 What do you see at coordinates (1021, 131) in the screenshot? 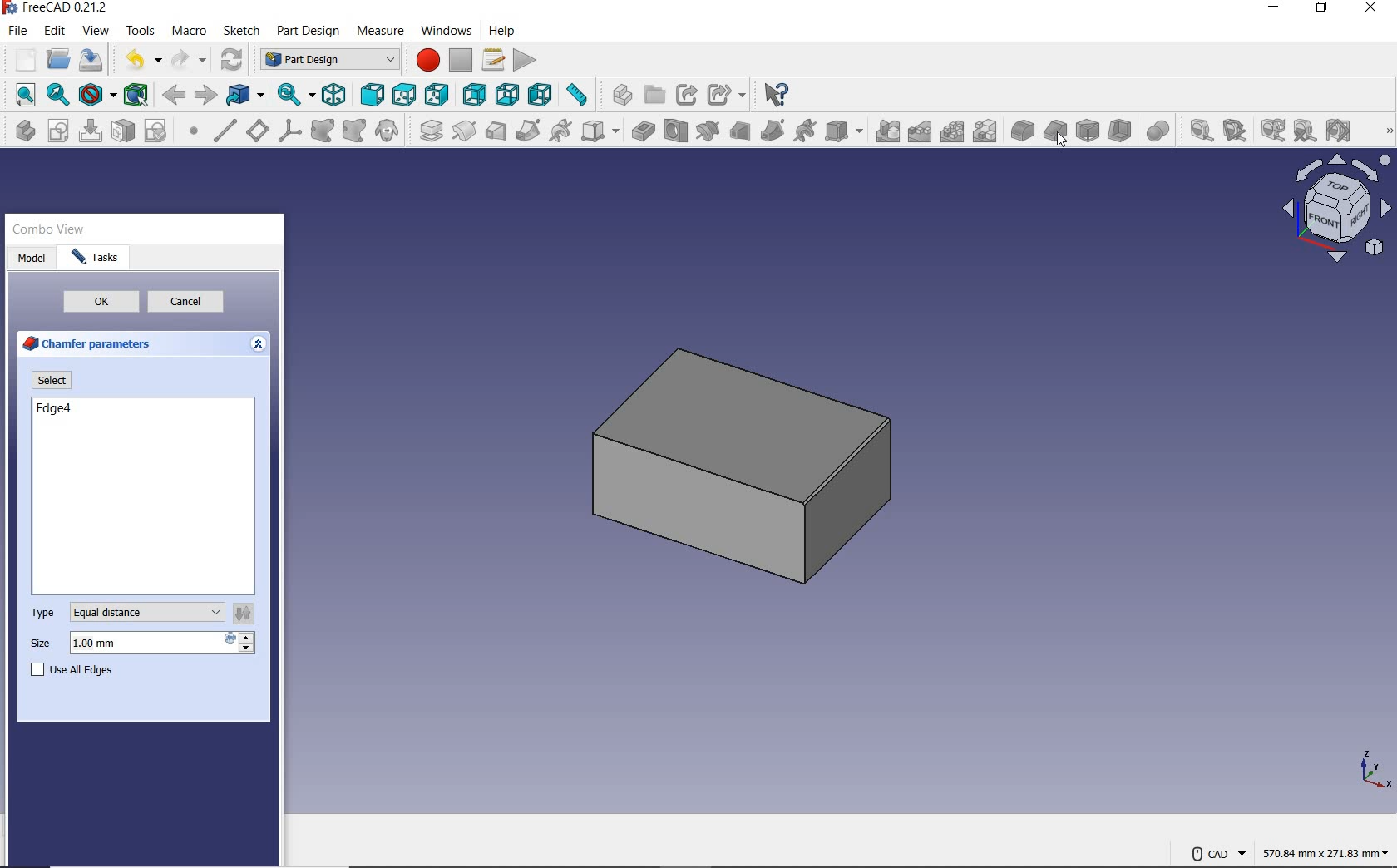
I see `fillet` at bounding box center [1021, 131].